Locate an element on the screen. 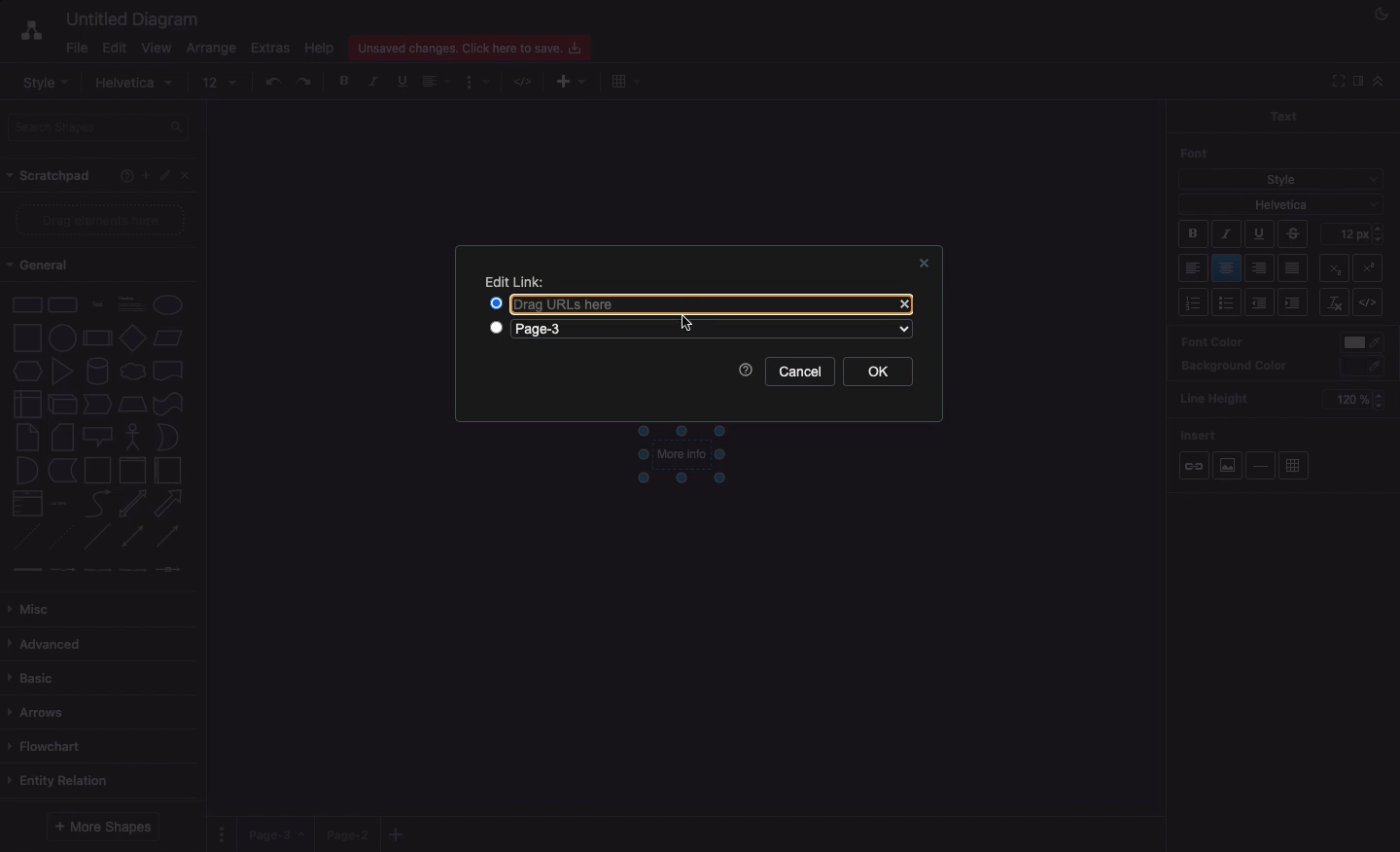 The height and width of the screenshot is (852, 1400). Underline is located at coordinates (401, 81).